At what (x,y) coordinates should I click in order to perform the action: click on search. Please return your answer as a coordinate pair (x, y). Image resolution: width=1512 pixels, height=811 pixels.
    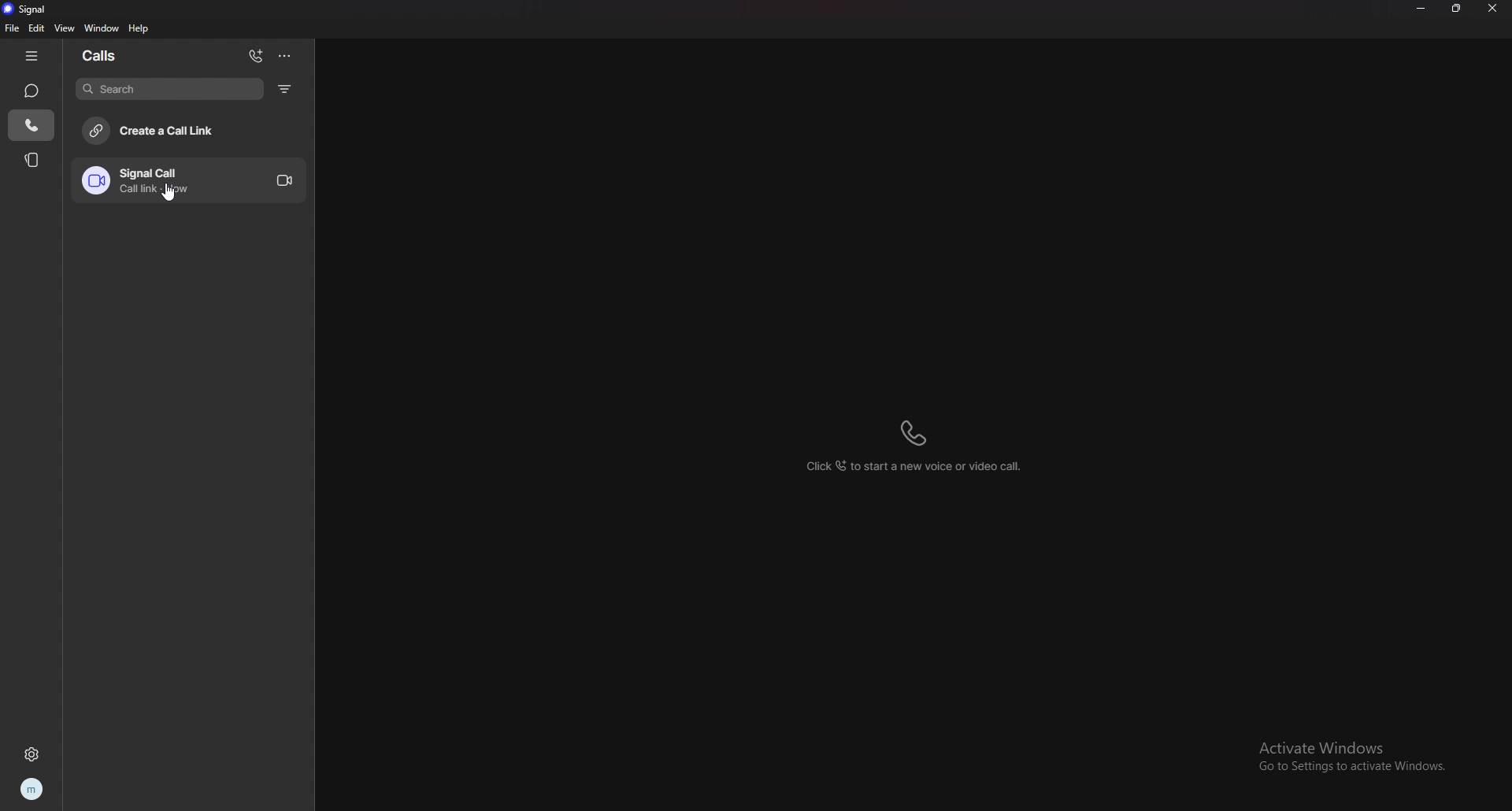
    Looking at the image, I should click on (169, 88).